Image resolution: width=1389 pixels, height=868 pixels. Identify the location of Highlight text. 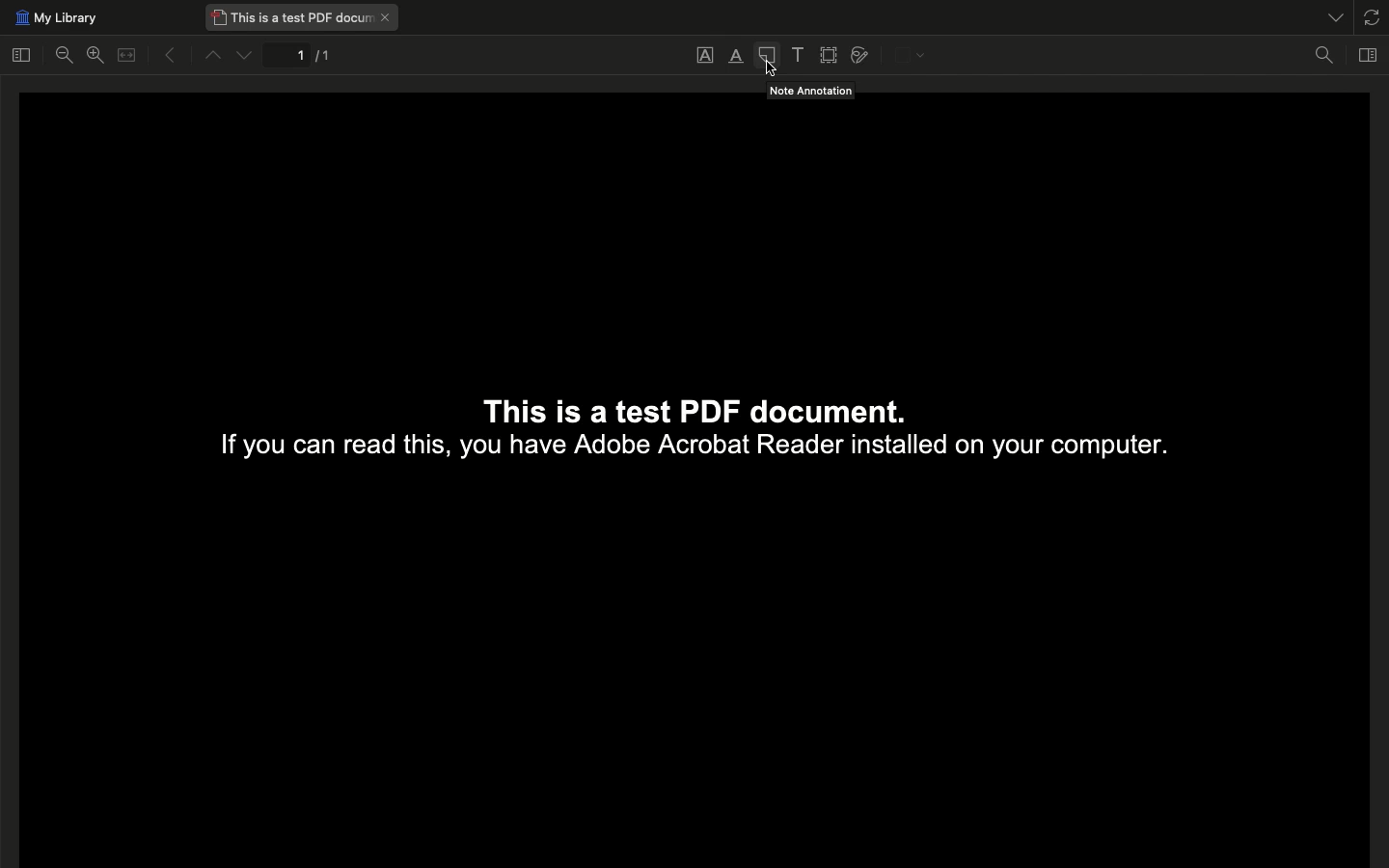
(735, 57).